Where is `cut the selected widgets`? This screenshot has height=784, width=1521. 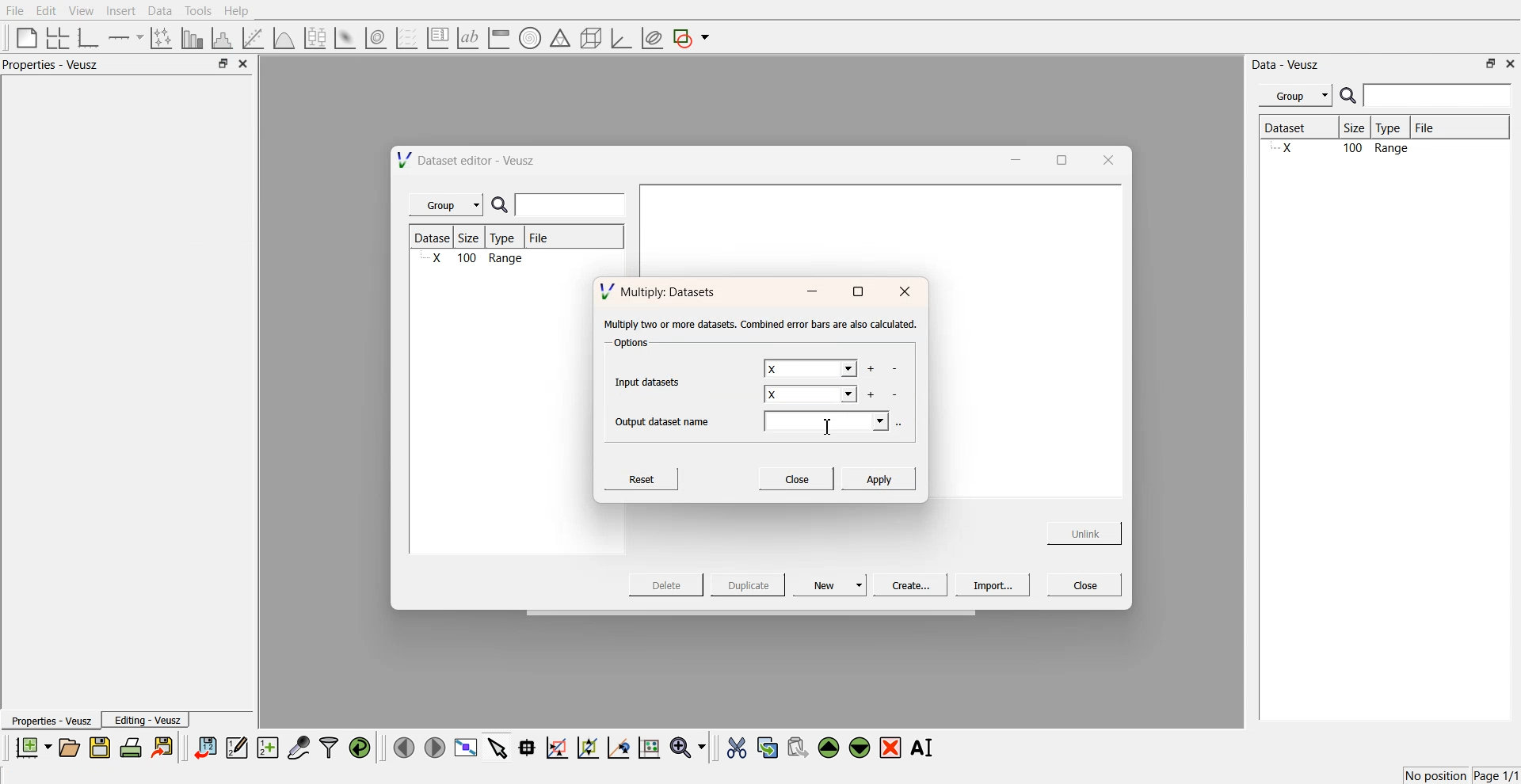 cut the selected widgets is located at coordinates (735, 748).